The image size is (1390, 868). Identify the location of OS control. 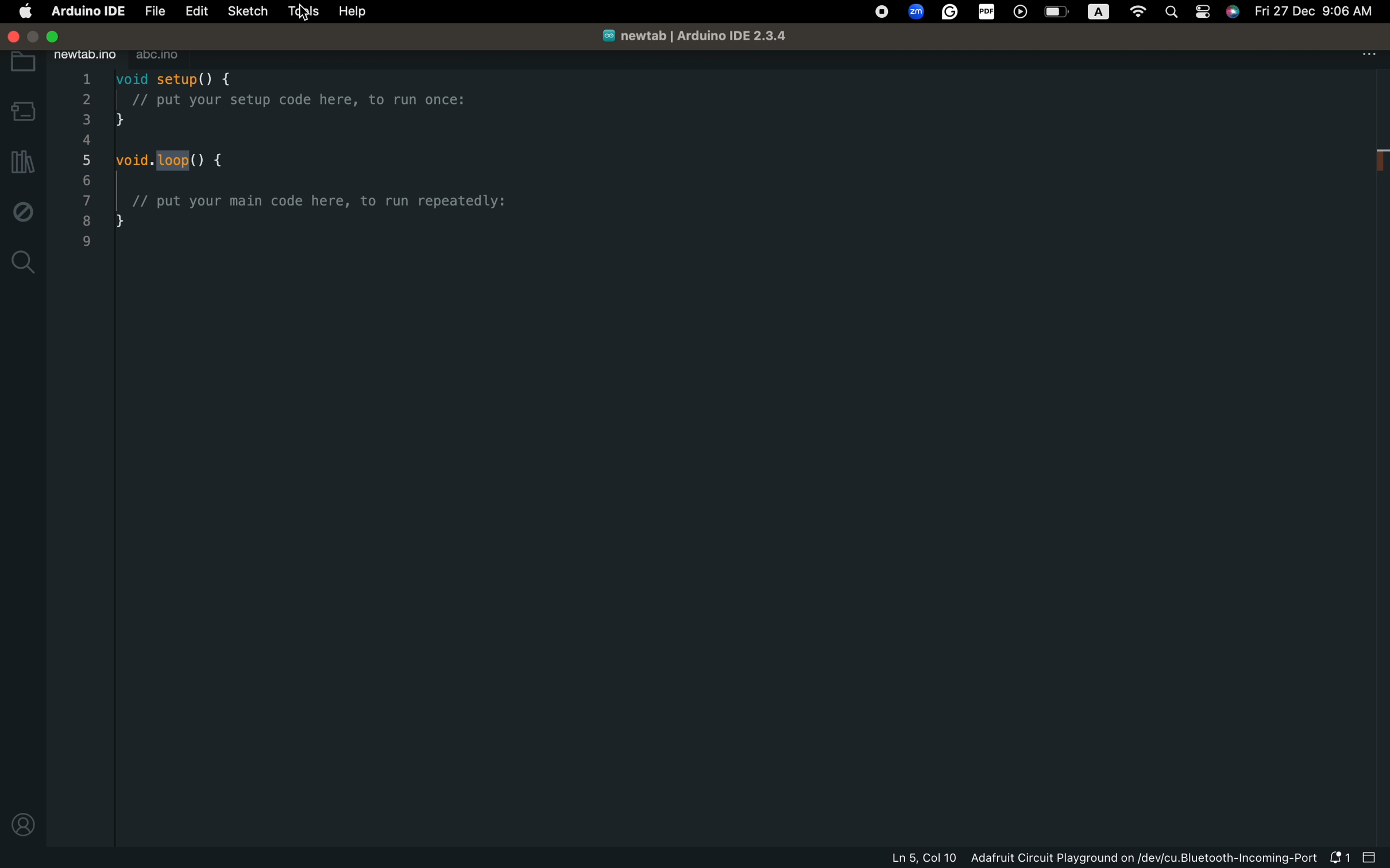
(886, 13).